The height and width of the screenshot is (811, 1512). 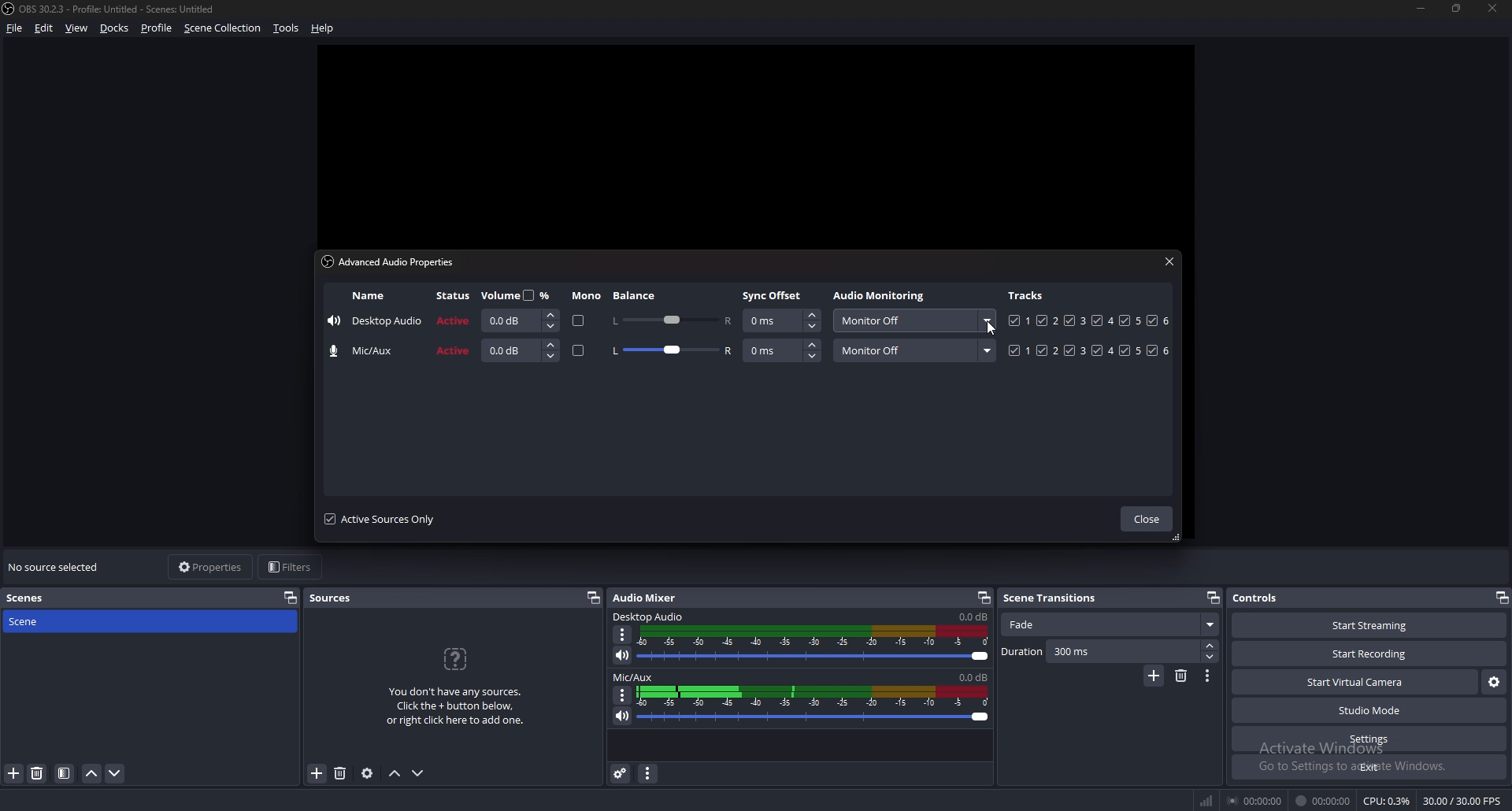 What do you see at coordinates (9, 10) in the screenshot?
I see `OBS LOGO` at bounding box center [9, 10].